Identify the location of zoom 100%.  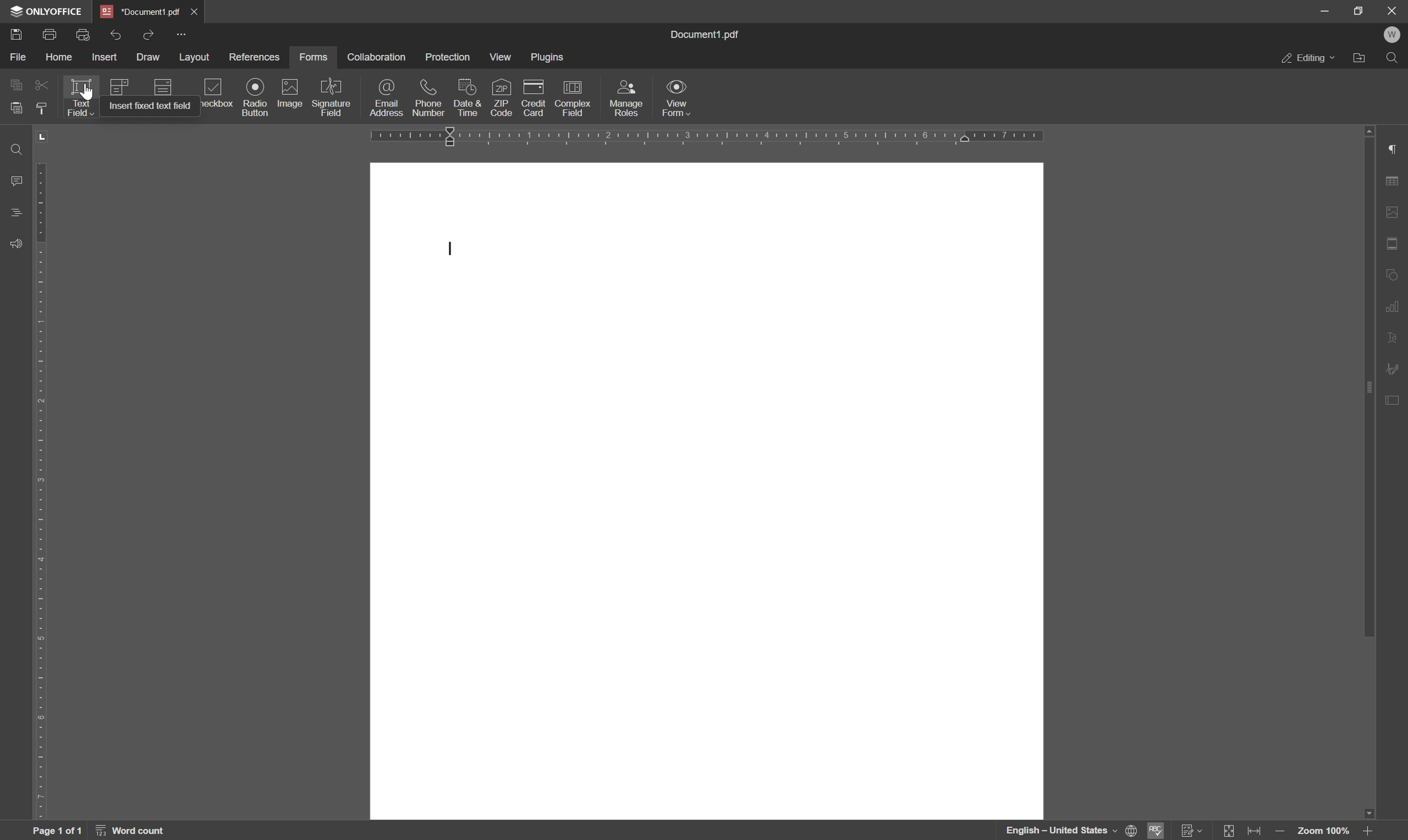
(1325, 832).